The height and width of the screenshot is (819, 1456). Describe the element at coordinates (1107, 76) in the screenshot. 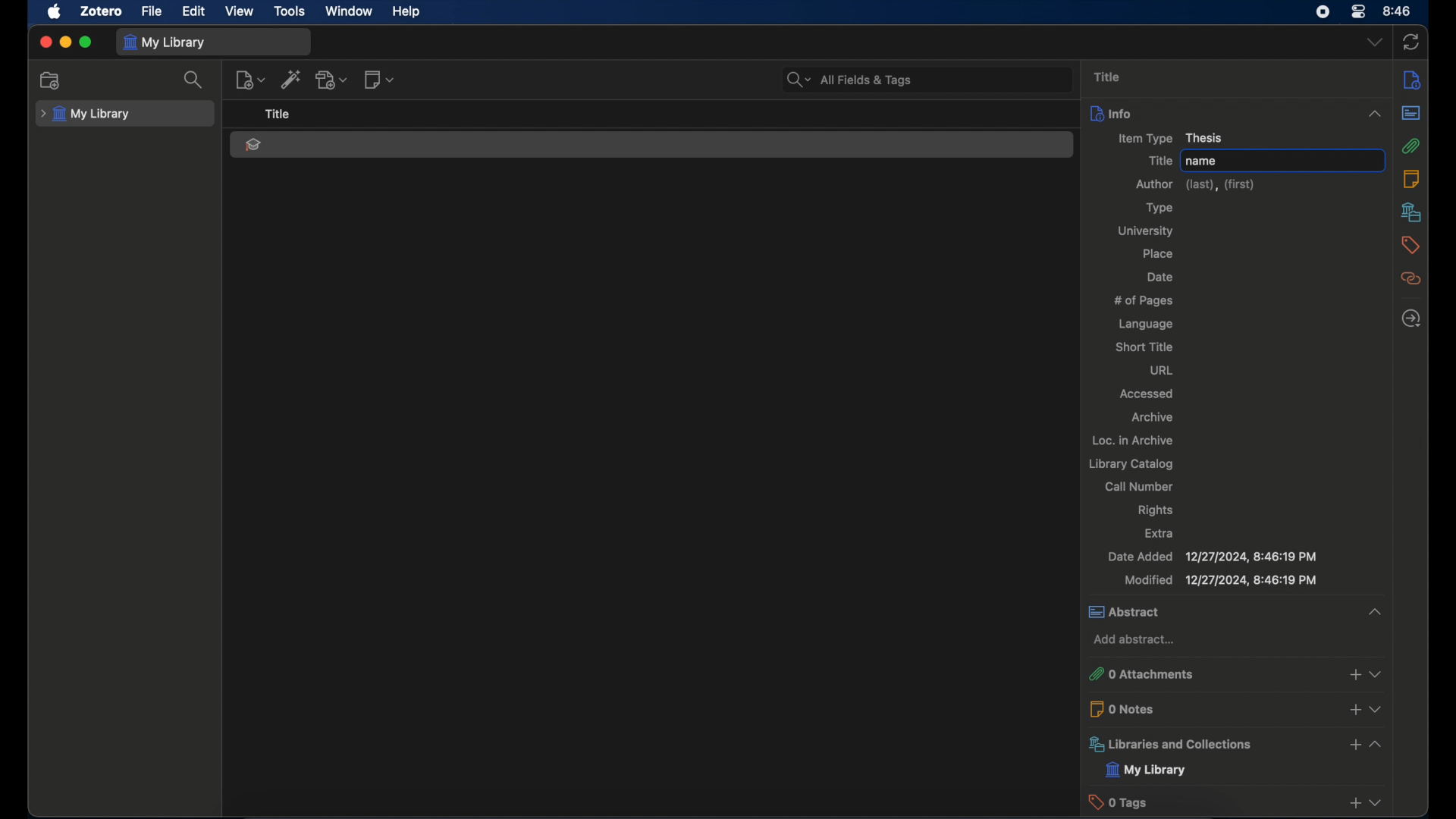

I see `title` at that location.